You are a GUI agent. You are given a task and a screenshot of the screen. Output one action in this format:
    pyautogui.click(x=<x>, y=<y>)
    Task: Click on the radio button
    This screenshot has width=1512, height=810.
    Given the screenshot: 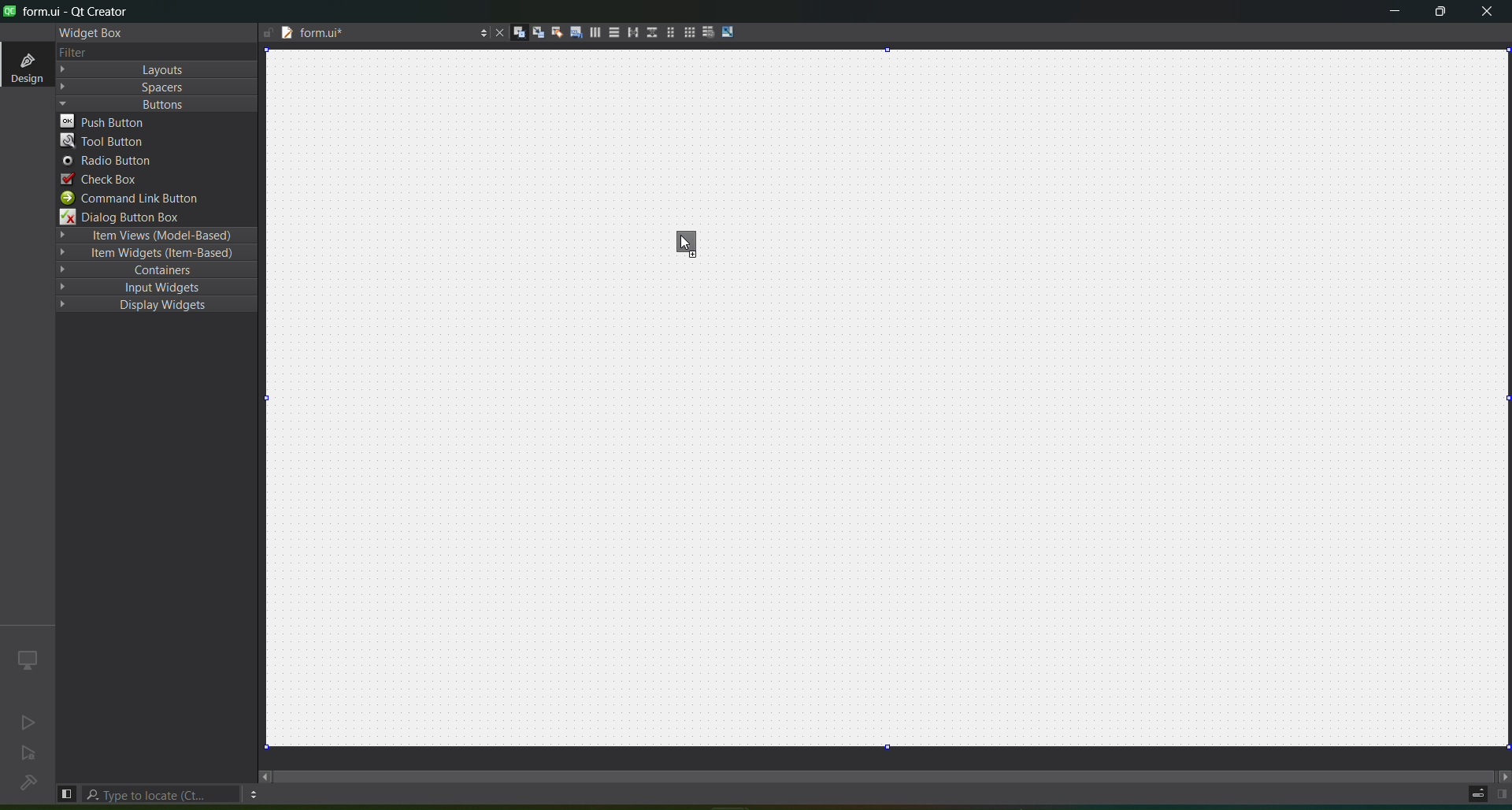 What is the action you would take?
    pyautogui.click(x=151, y=162)
    